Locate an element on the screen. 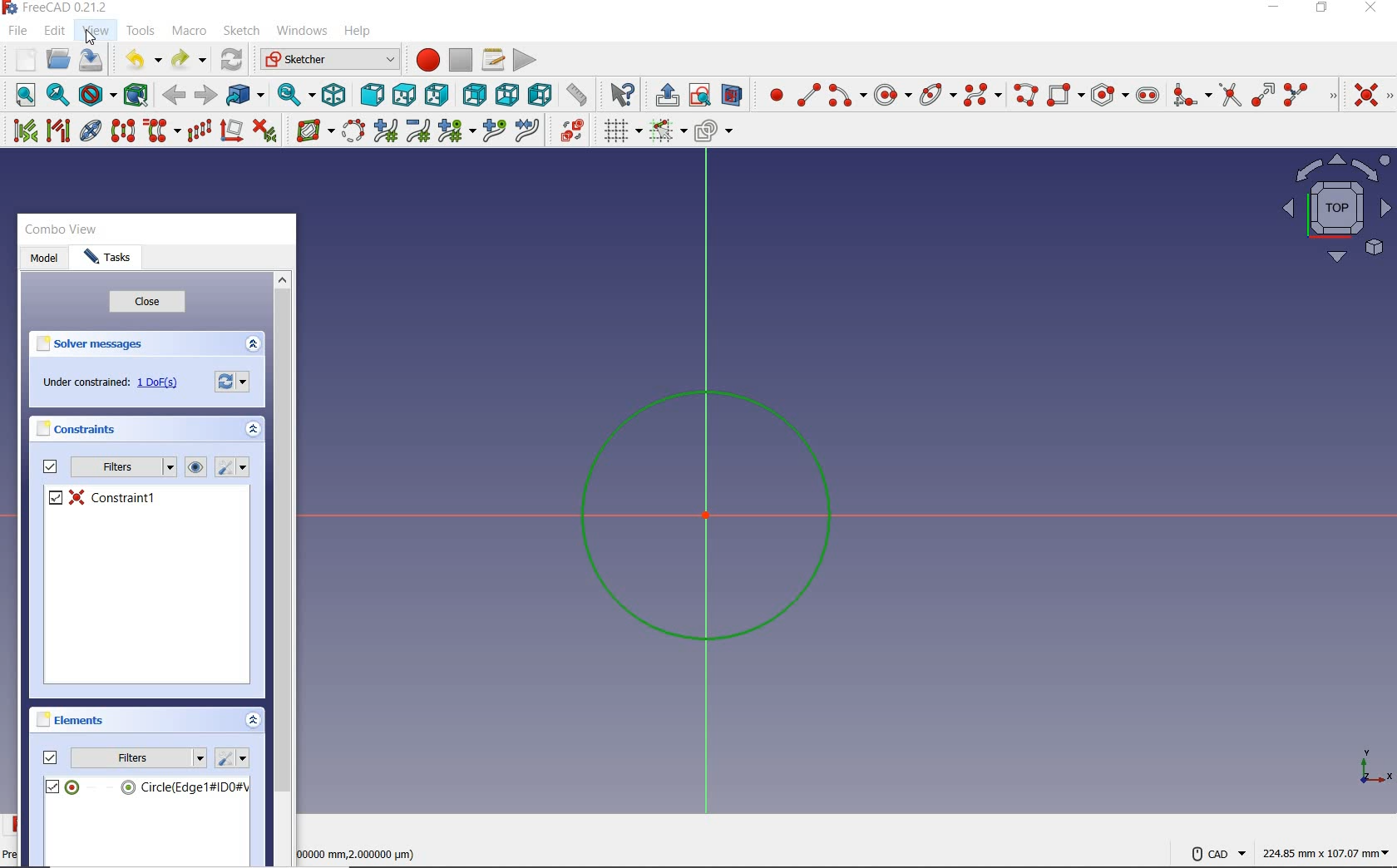 The width and height of the screenshot is (1397, 868). select associated constraints is located at coordinates (20, 129).